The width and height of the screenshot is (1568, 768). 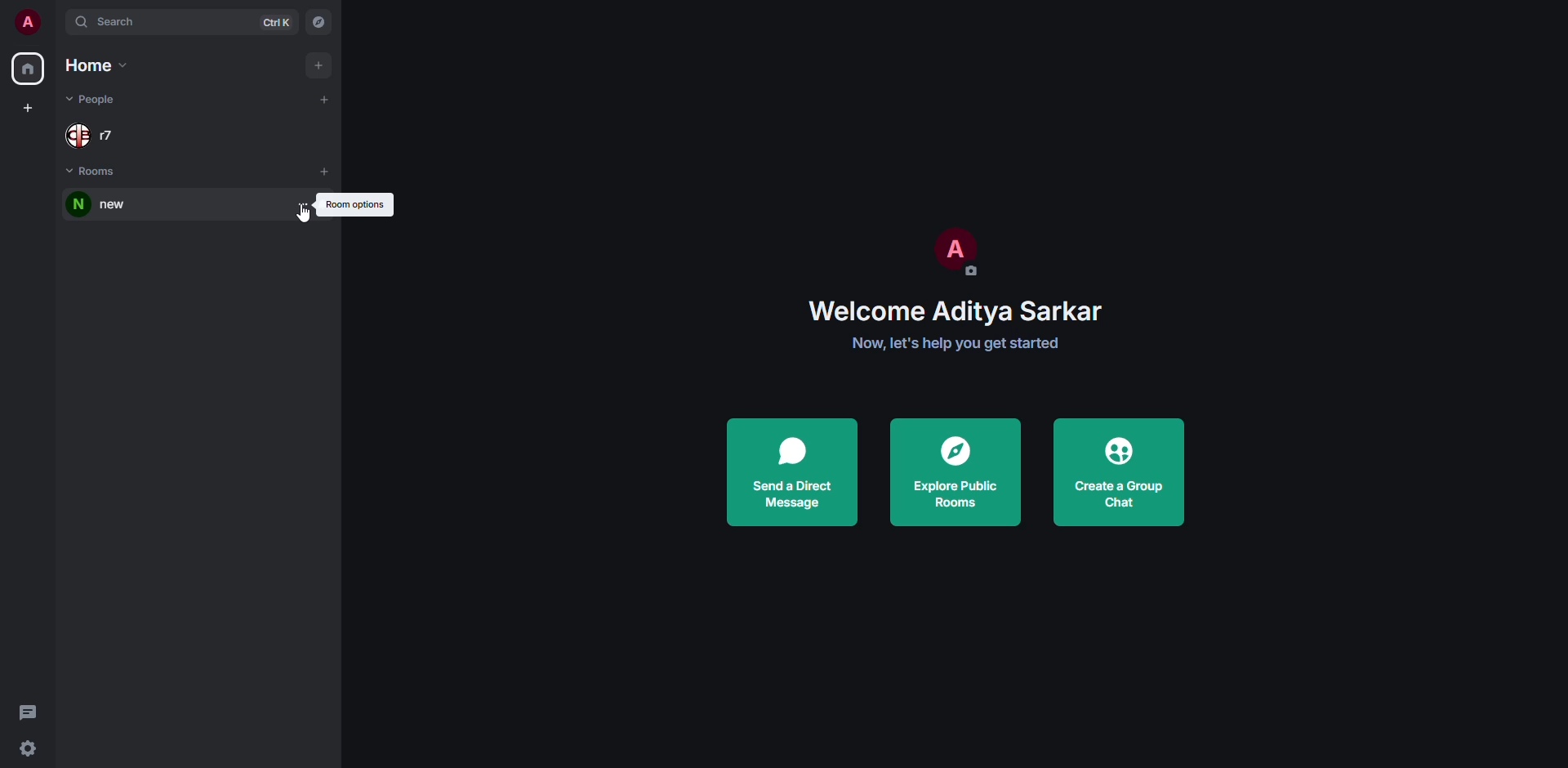 I want to click on search, so click(x=111, y=21).